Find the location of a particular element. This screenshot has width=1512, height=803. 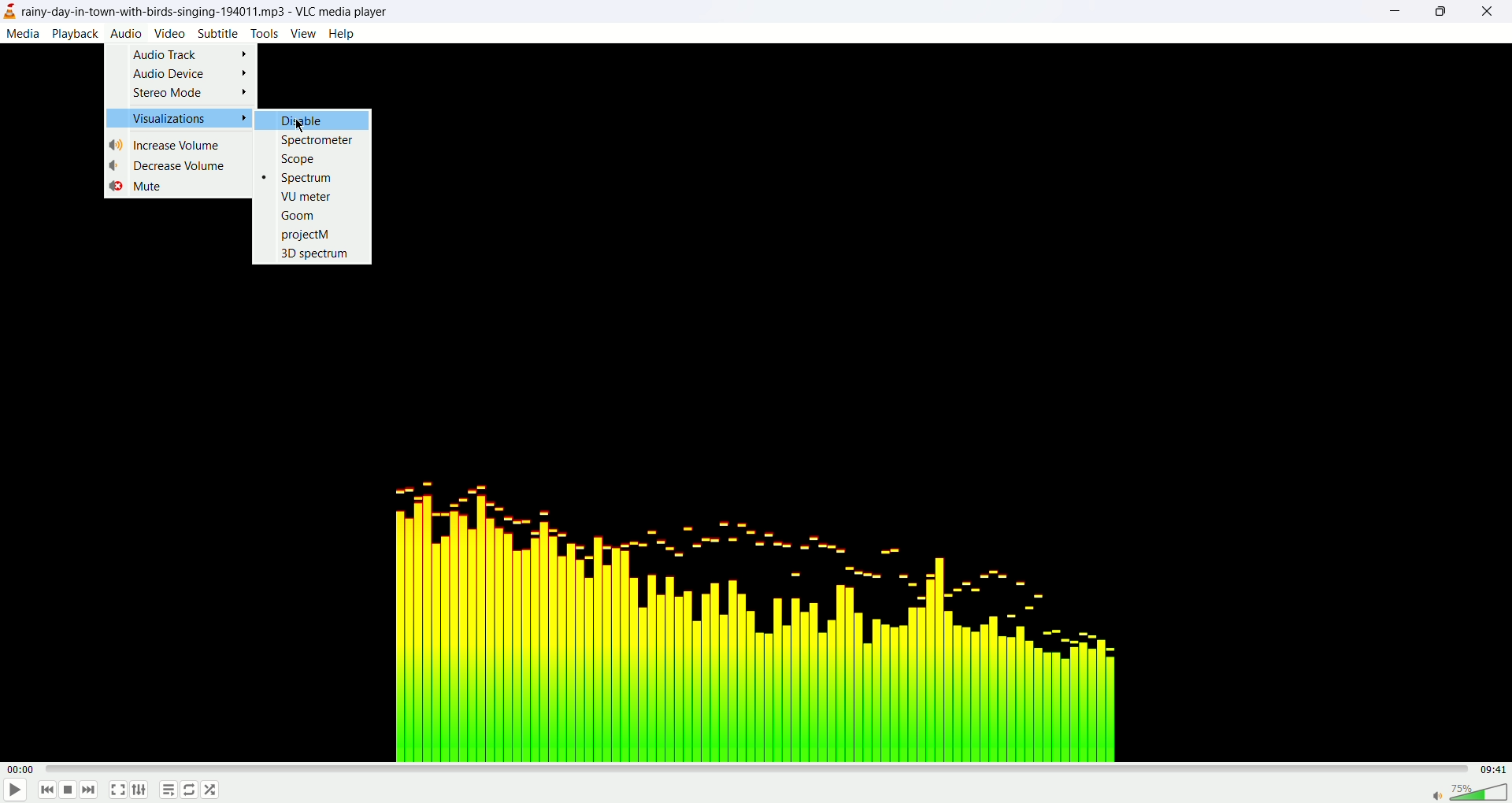

playlist is located at coordinates (165, 792).